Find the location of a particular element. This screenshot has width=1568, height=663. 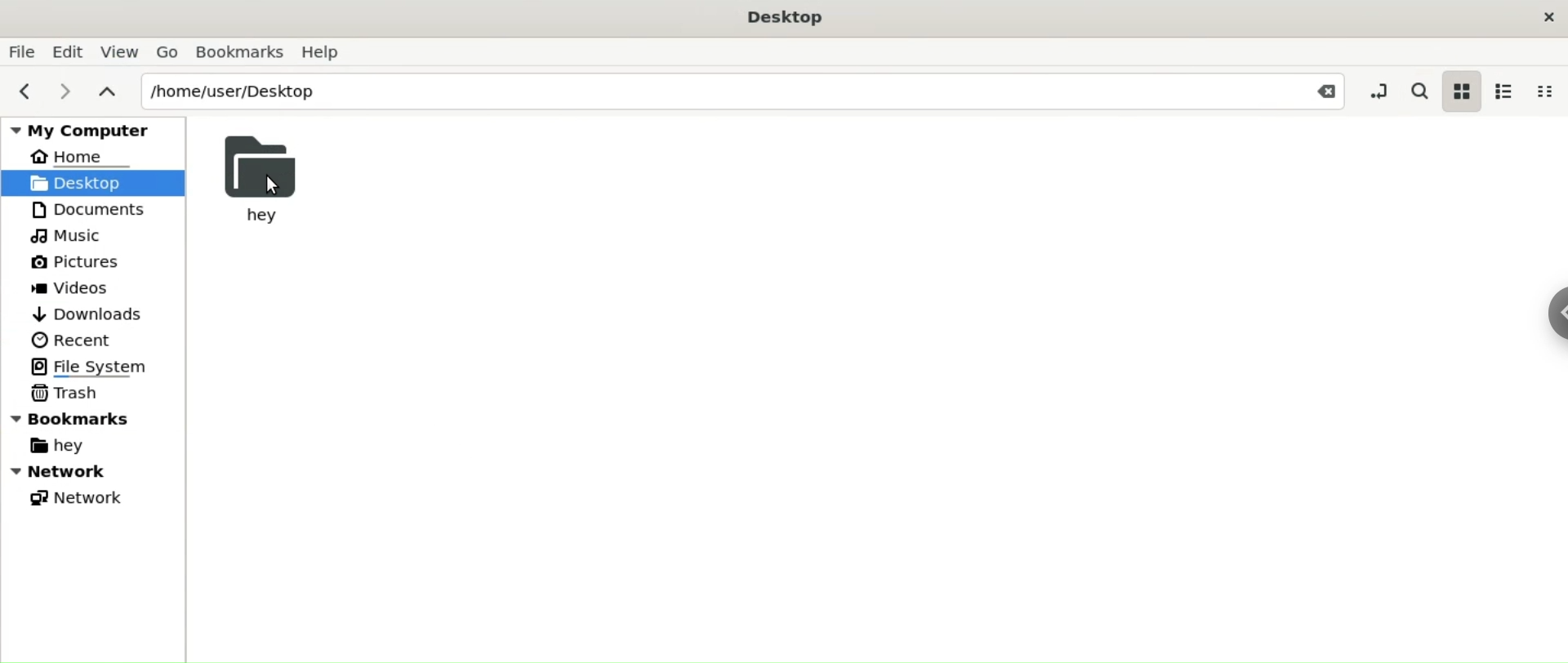

search is located at coordinates (1419, 90).